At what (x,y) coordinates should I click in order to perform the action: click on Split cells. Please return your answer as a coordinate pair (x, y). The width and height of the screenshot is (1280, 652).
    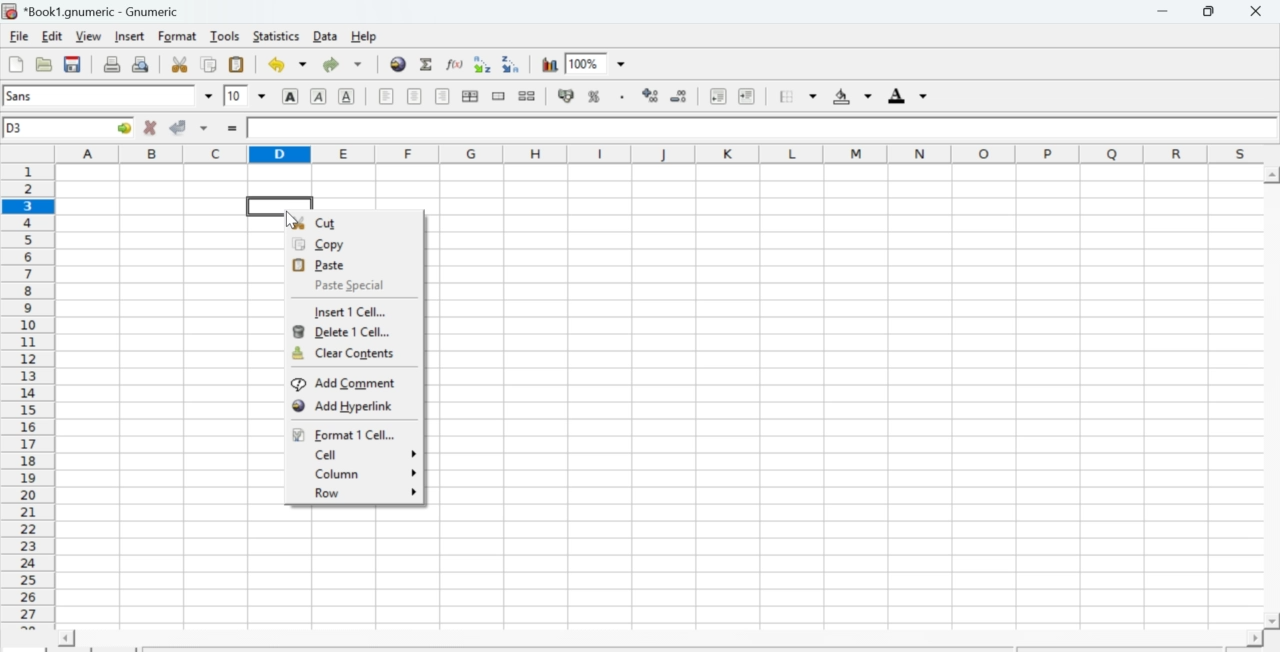
    Looking at the image, I should click on (526, 96).